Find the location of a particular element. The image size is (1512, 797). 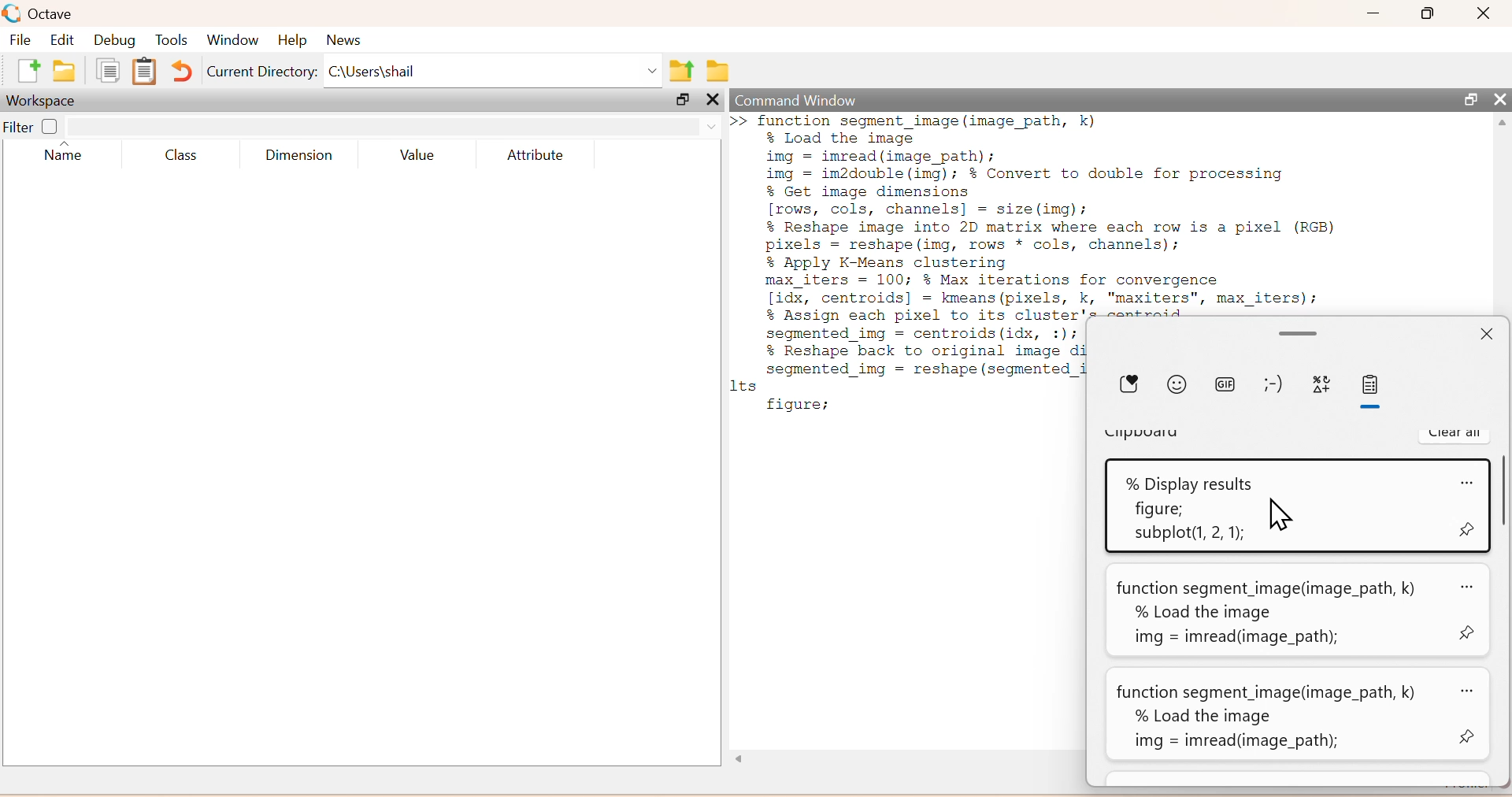

Undo is located at coordinates (183, 72).